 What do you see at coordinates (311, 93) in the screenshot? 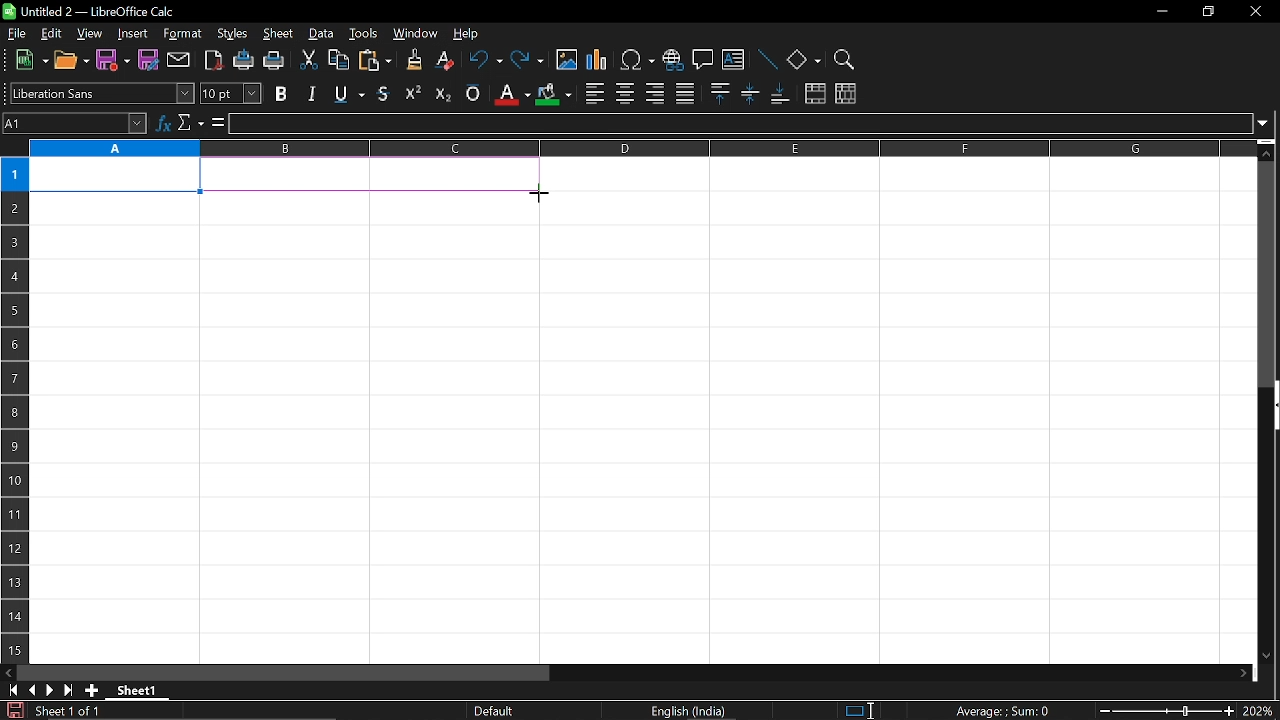
I see `italic` at bounding box center [311, 93].